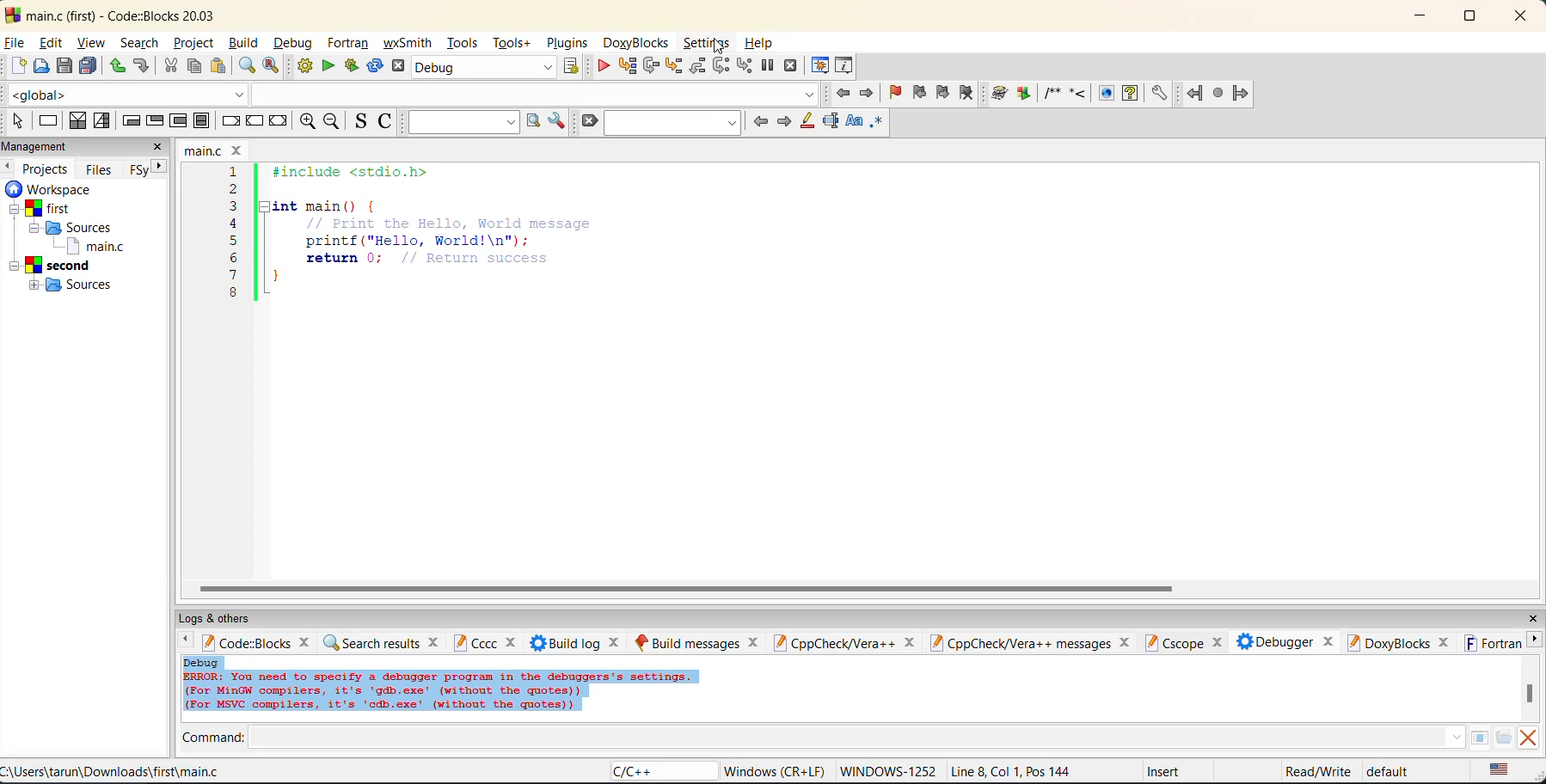 The width and height of the screenshot is (1546, 784). Describe the element at coordinates (350, 44) in the screenshot. I see `fortran` at that location.